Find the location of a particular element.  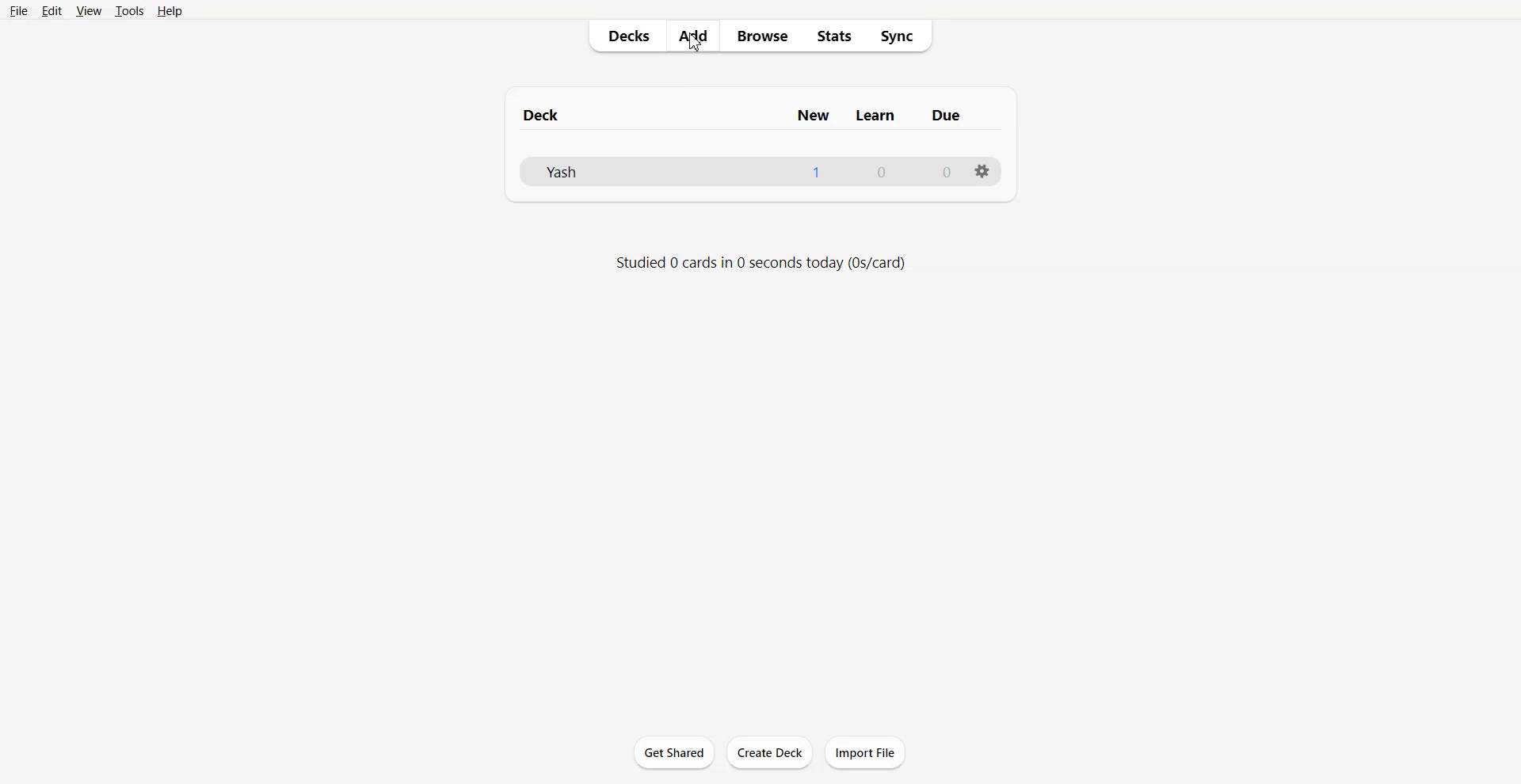

Add is located at coordinates (693, 36).